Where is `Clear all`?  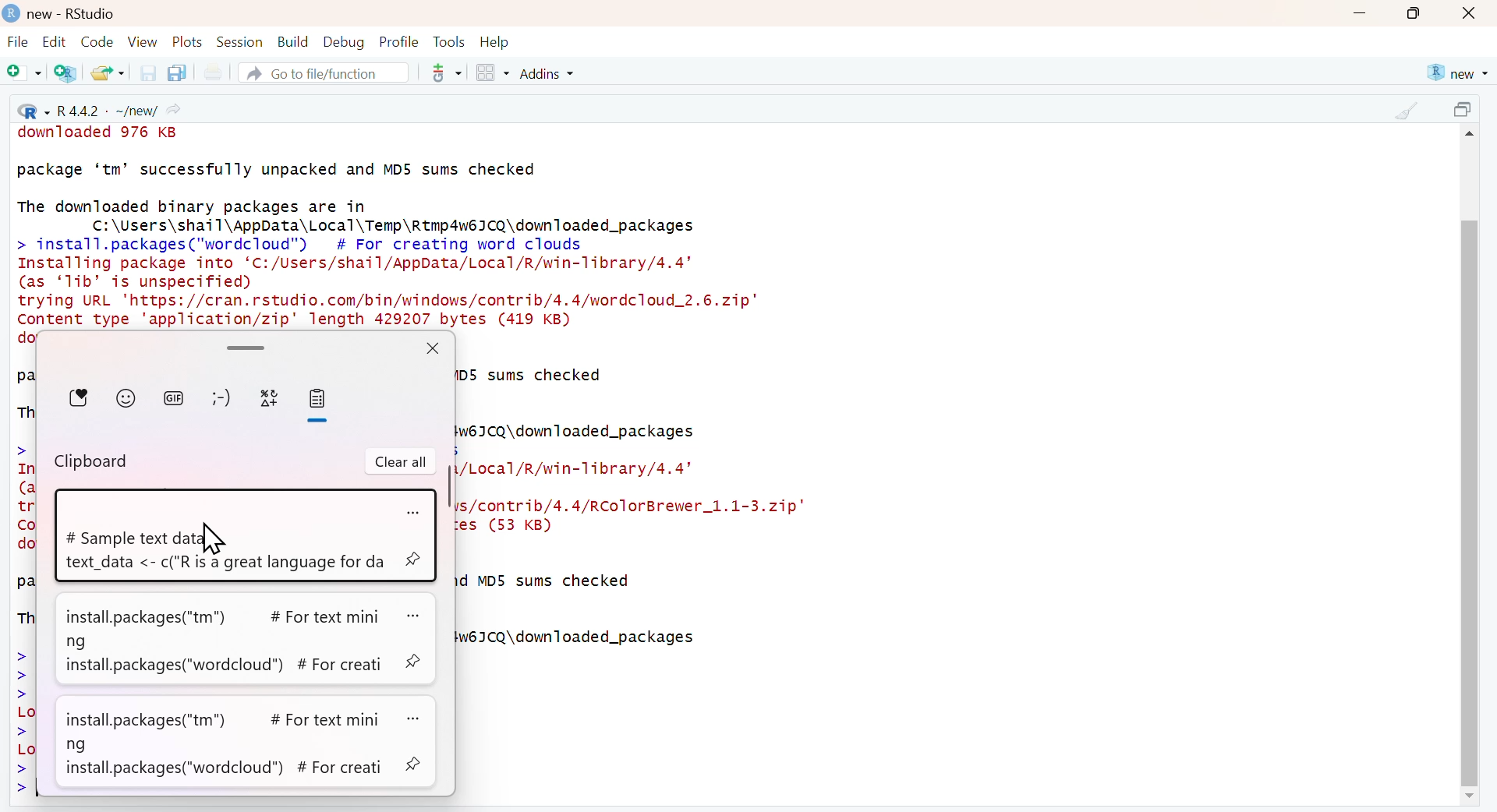 Clear all is located at coordinates (402, 461).